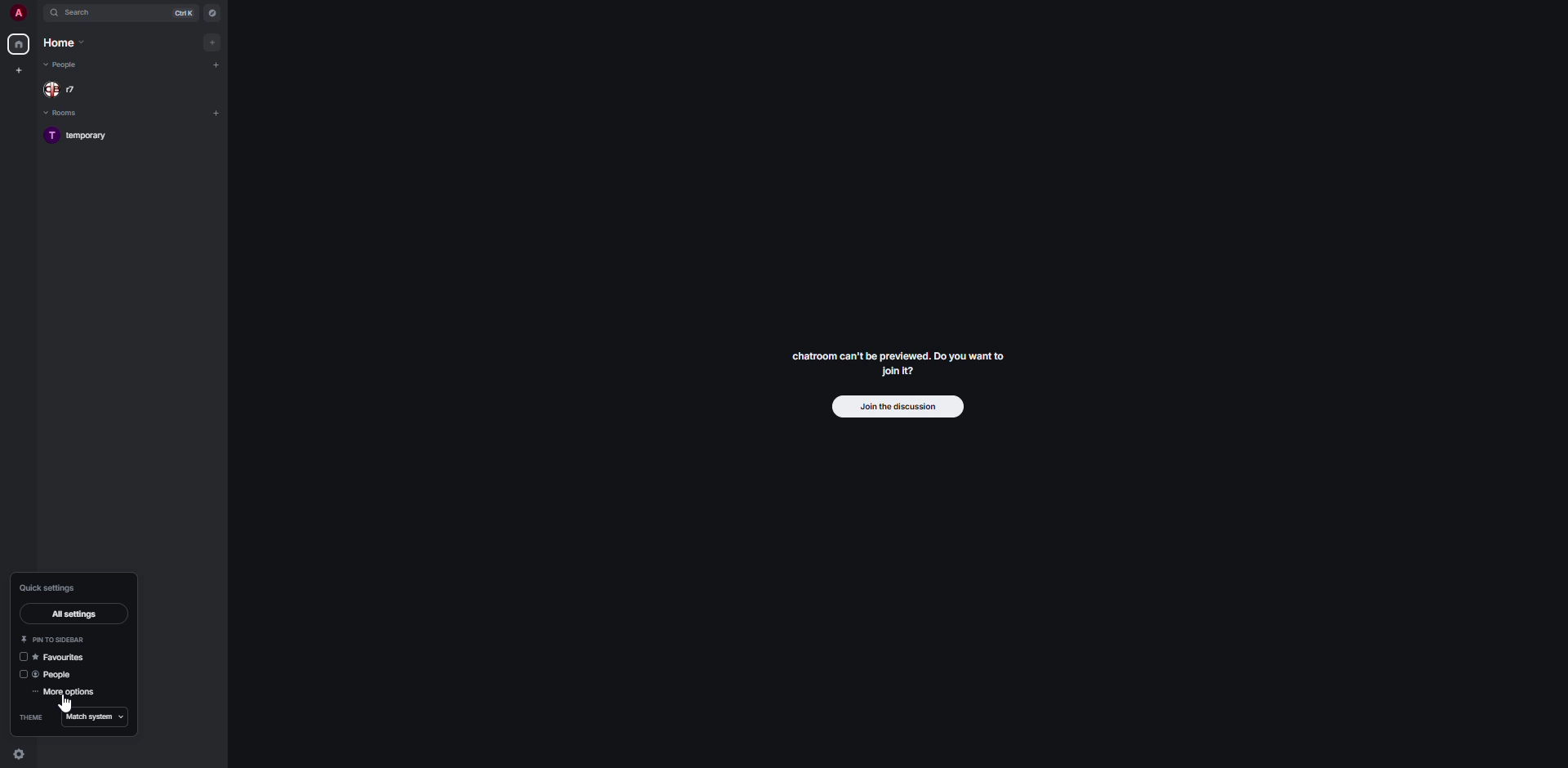  Describe the element at coordinates (57, 657) in the screenshot. I see `favorites` at that location.